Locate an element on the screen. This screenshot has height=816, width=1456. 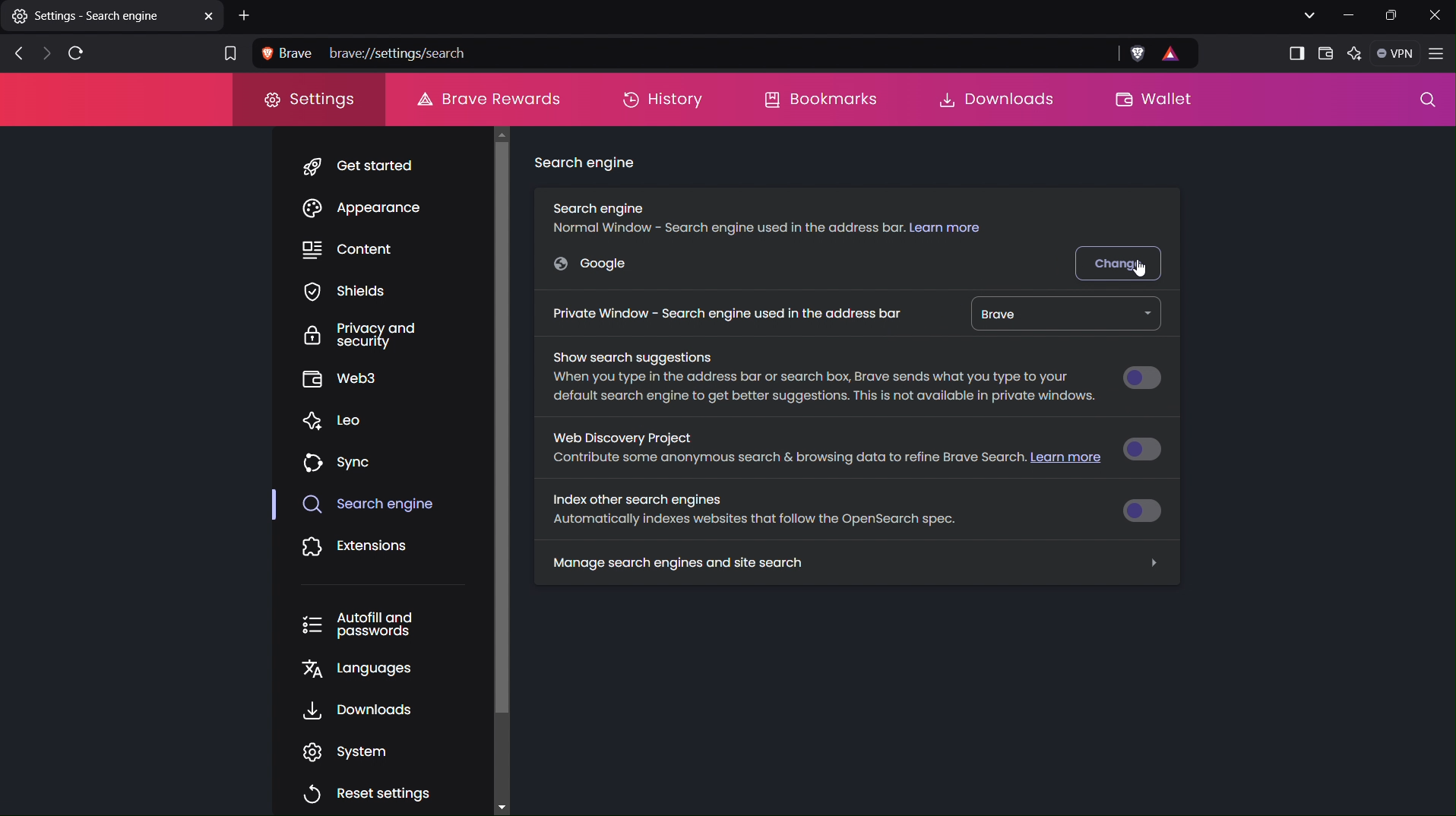
Wallet is located at coordinates (1326, 53).